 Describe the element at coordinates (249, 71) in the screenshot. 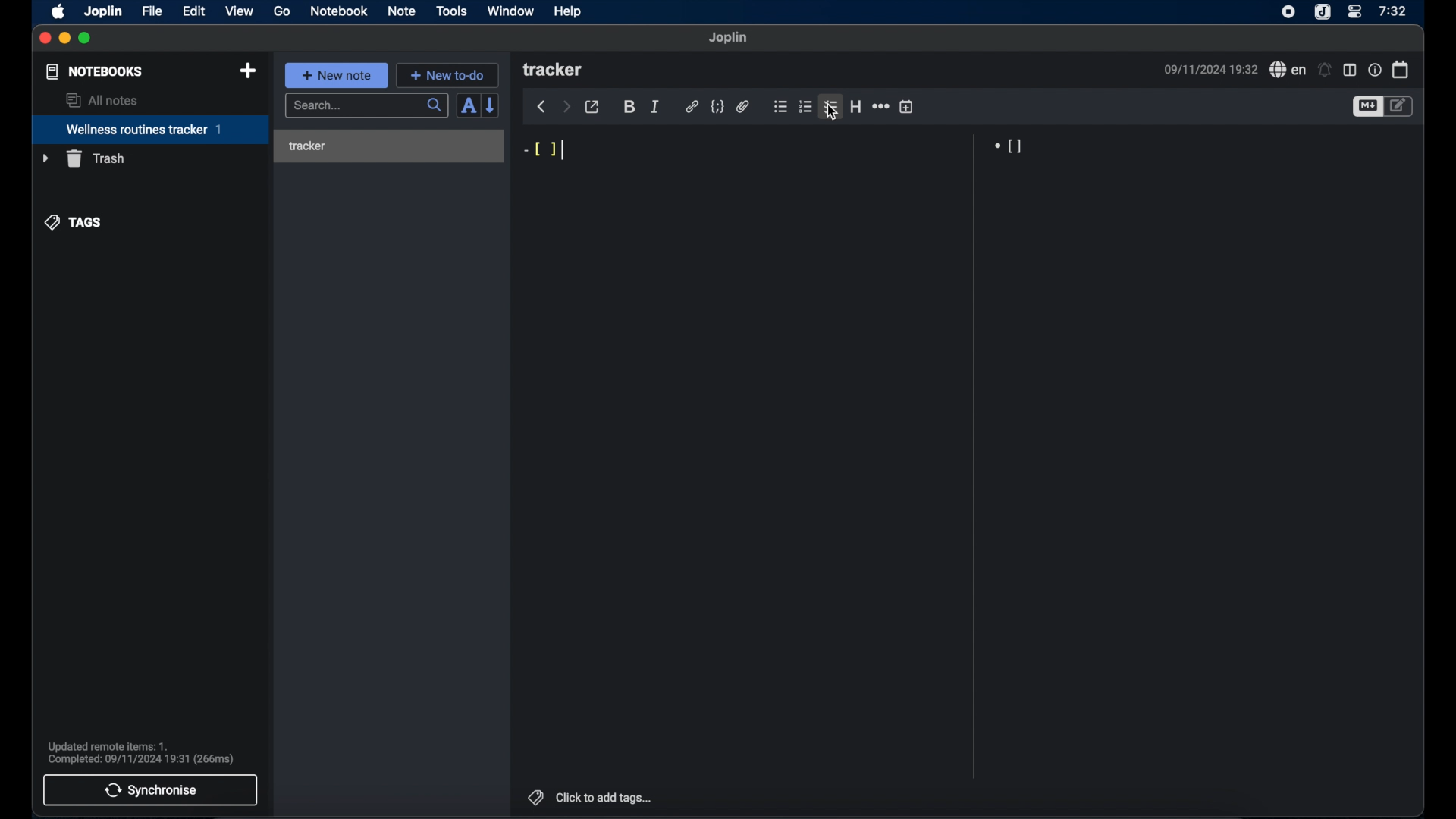

I see `new notebook` at that location.